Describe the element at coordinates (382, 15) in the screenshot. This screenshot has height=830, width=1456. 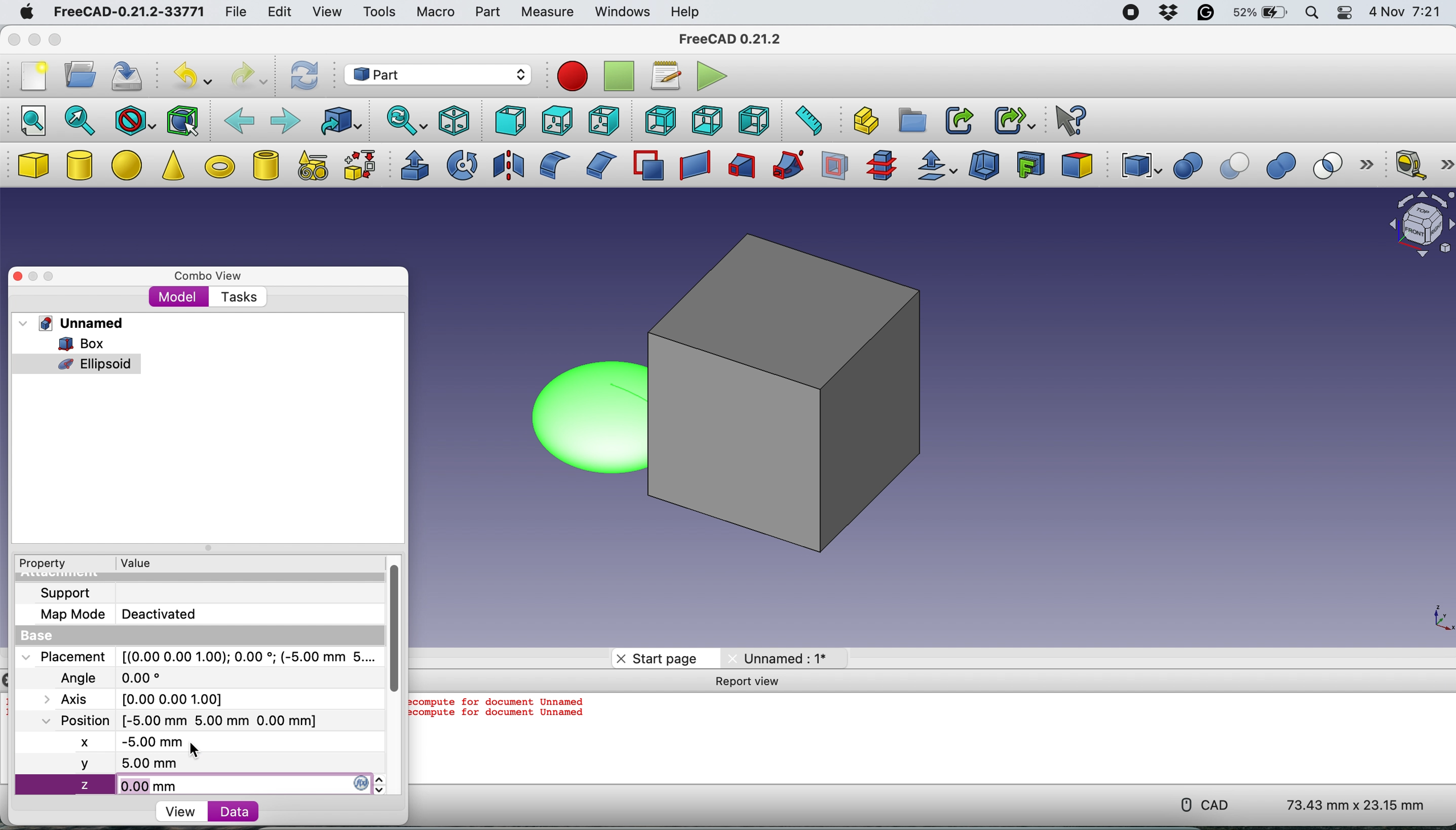
I see `tools` at that location.